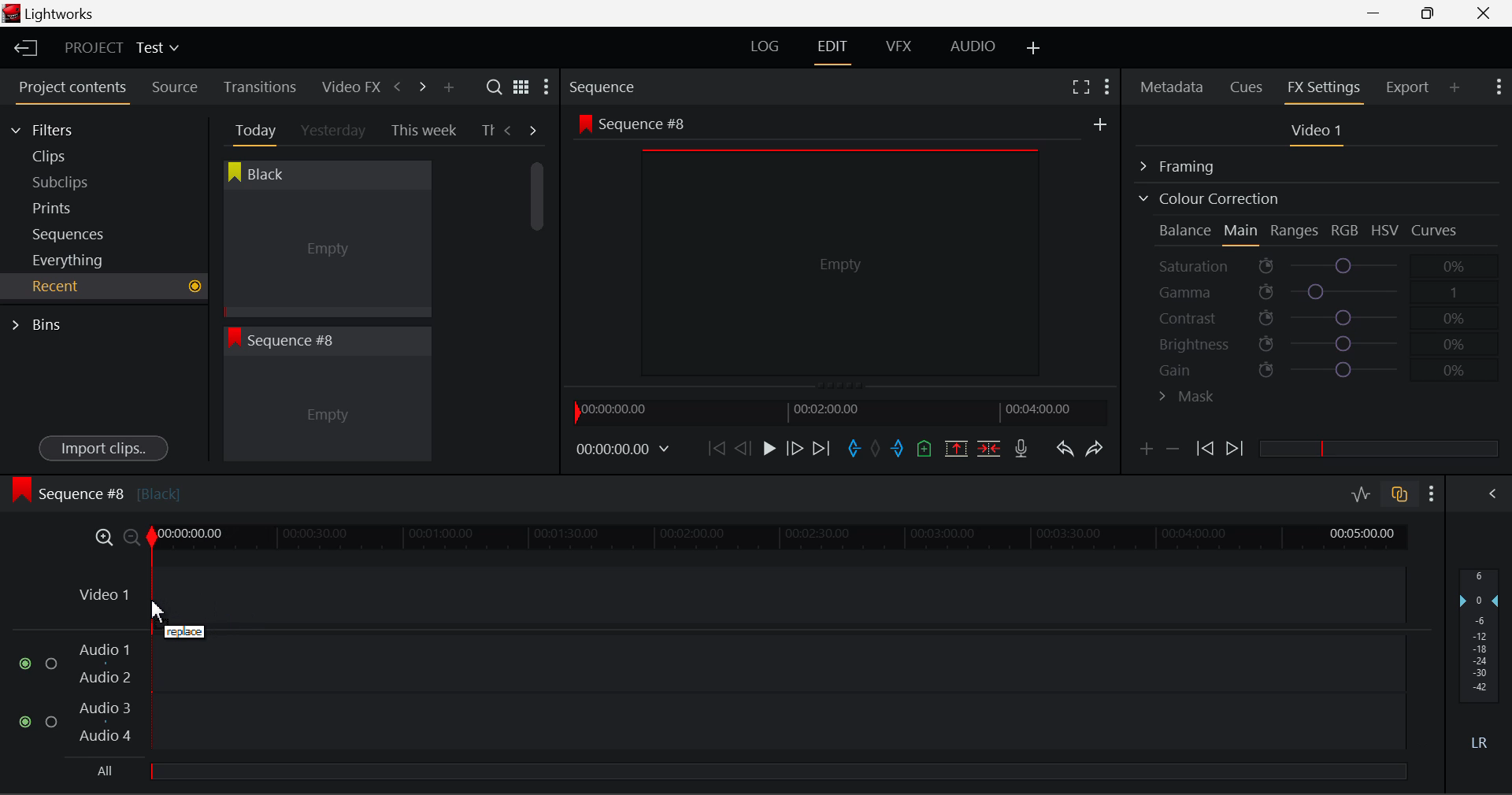  I want to click on Yesterday Tab, so click(335, 131).